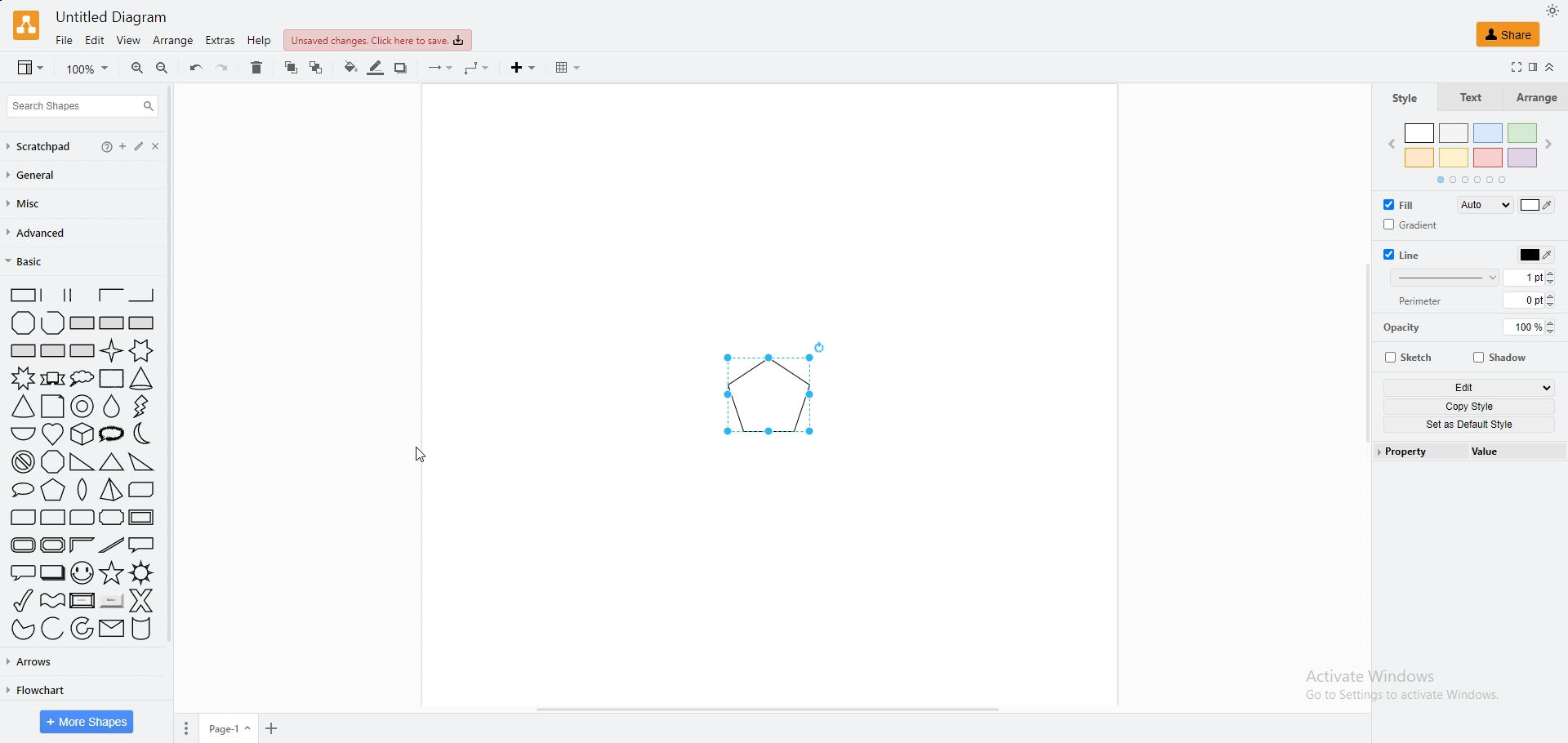 This screenshot has width=1568, height=743. What do you see at coordinates (52, 629) in the screenshot?
I see `arc` at bounding box center [52, 629].